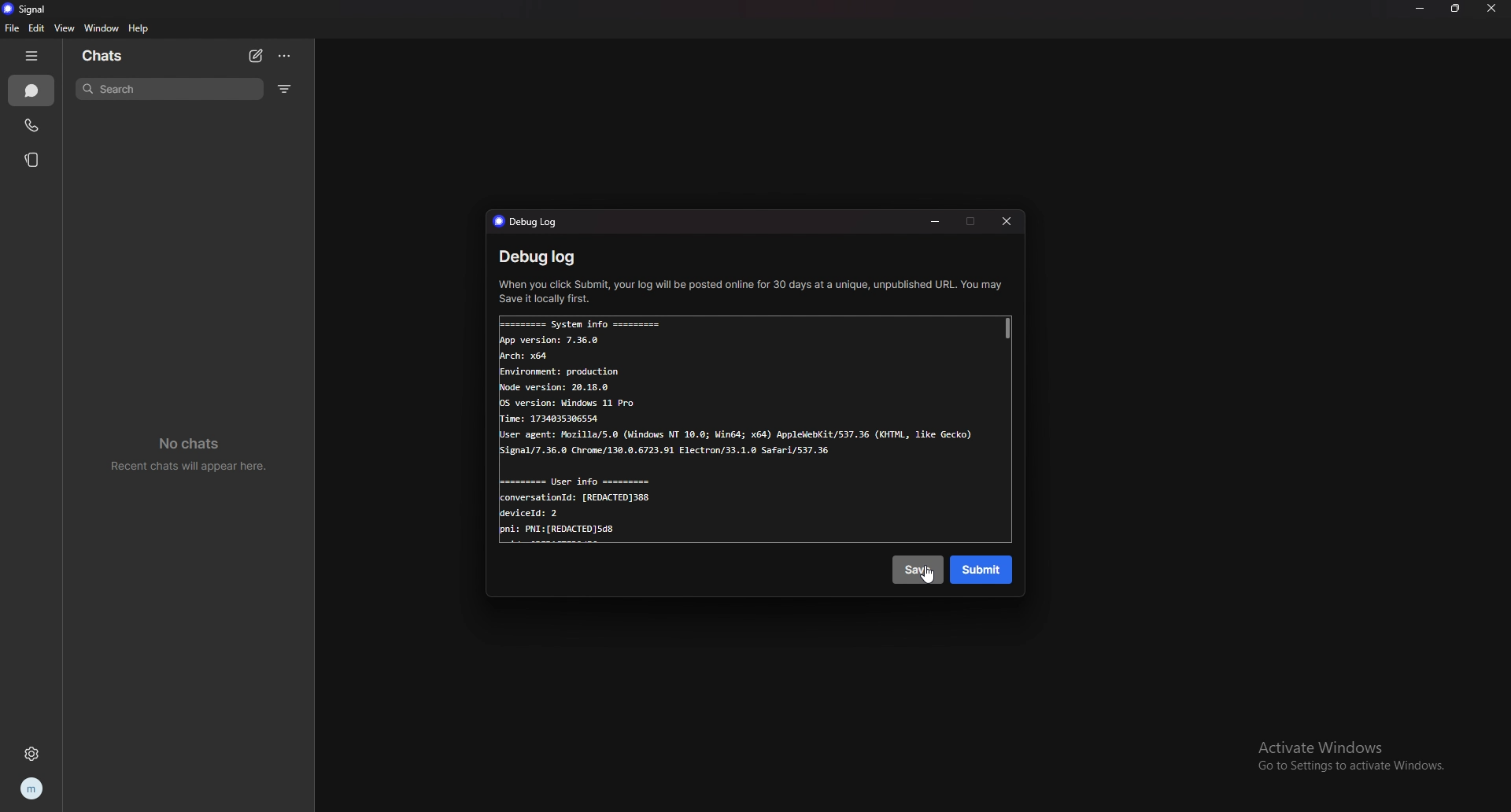 This screenshot has height=812, width=1511. I want to click on minimize, so click(934, 223).